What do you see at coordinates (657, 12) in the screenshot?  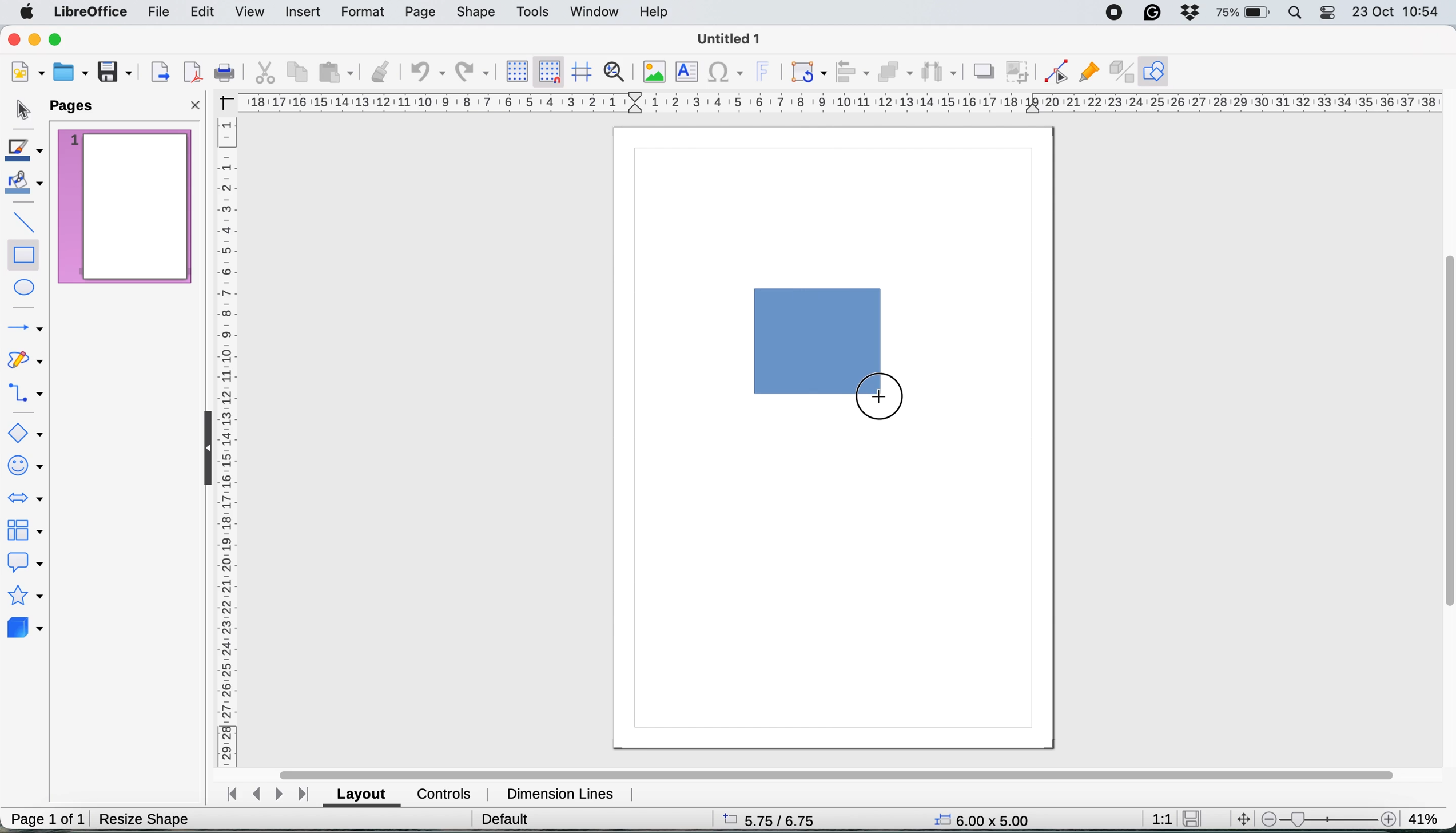 I see `help` at bounding box center [657, 12].